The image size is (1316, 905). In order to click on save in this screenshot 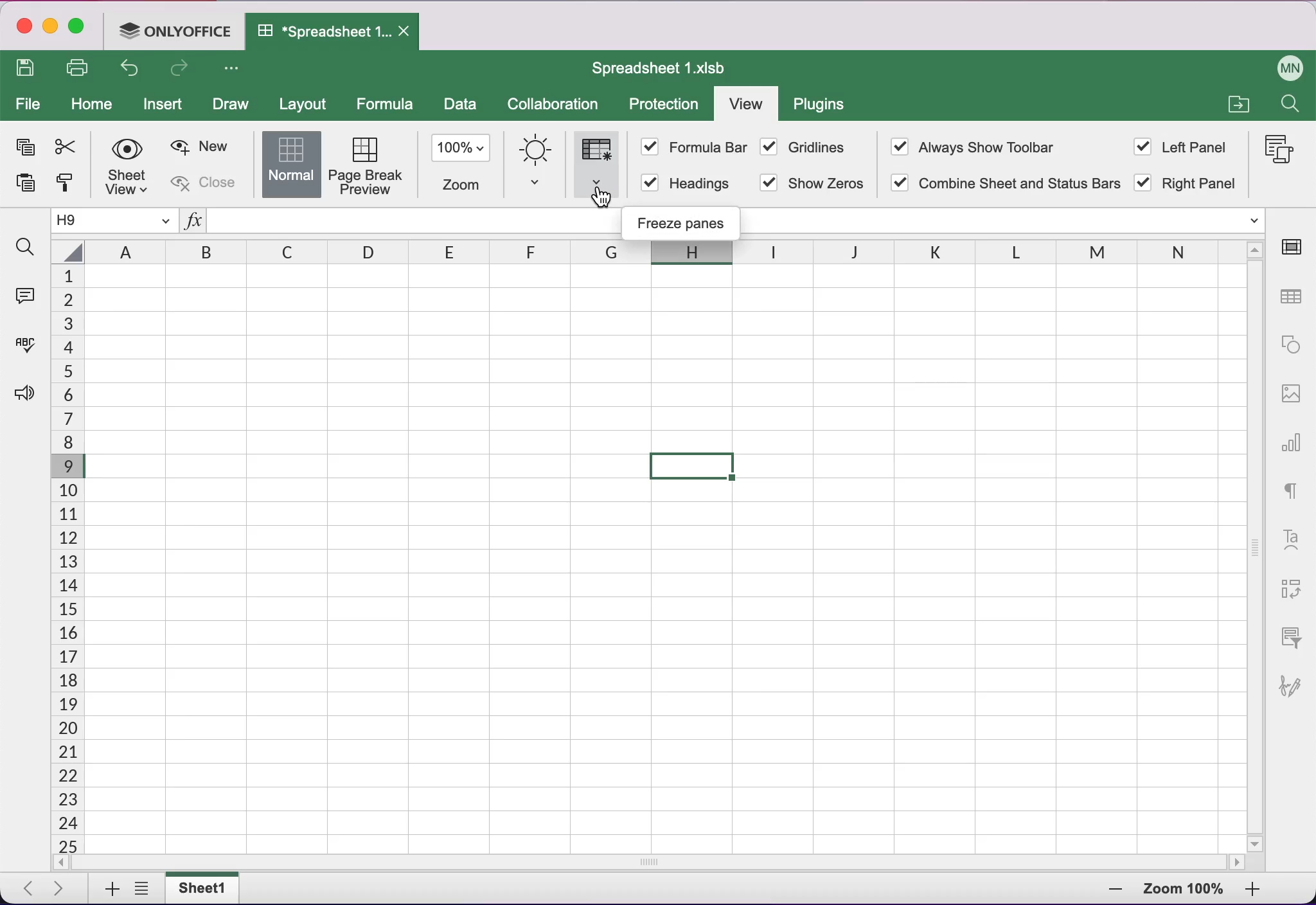, I will do `click(29, 68)`.